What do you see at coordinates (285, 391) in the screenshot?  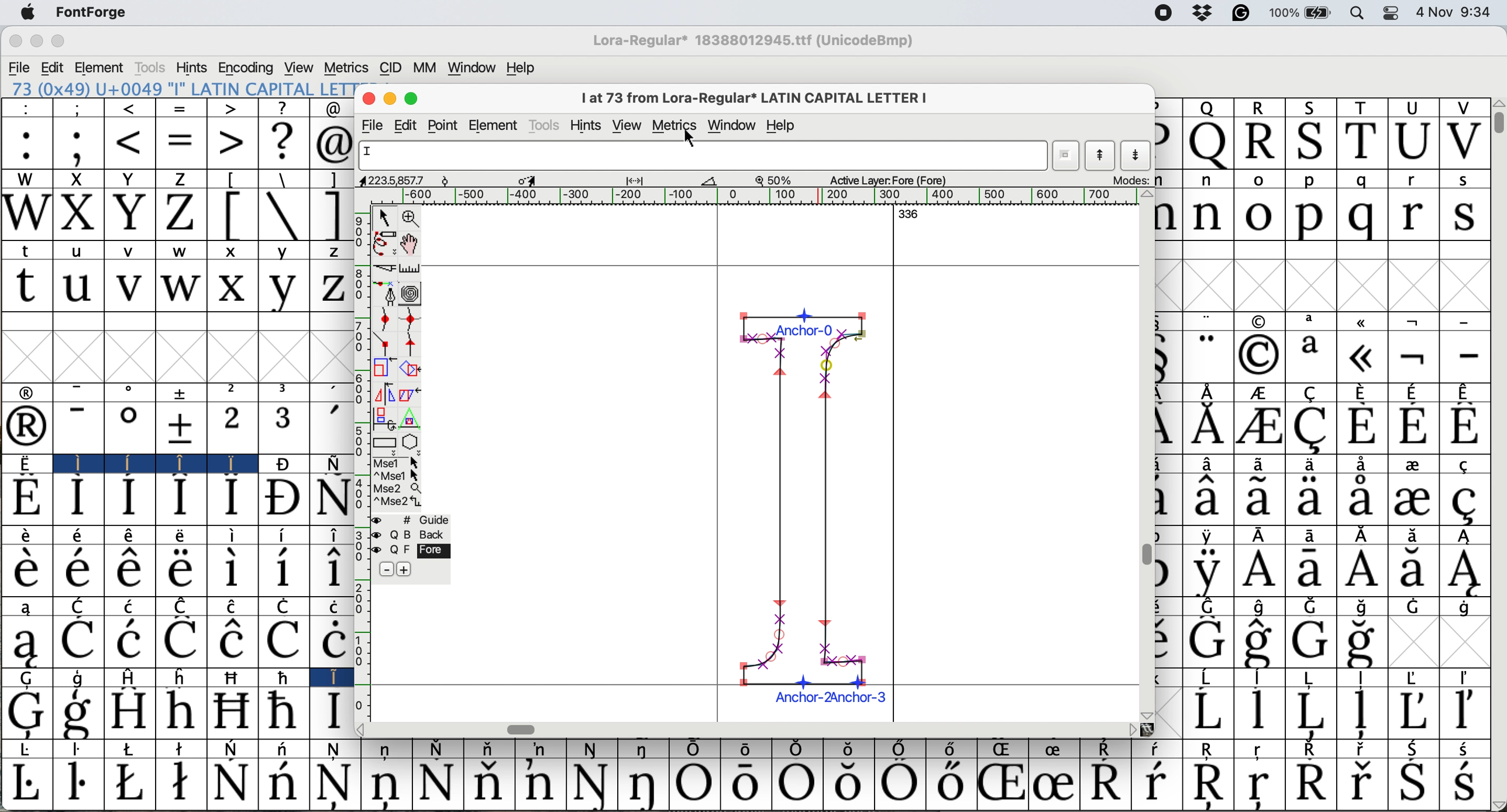 I see `3` at bounding box center [285, 391].